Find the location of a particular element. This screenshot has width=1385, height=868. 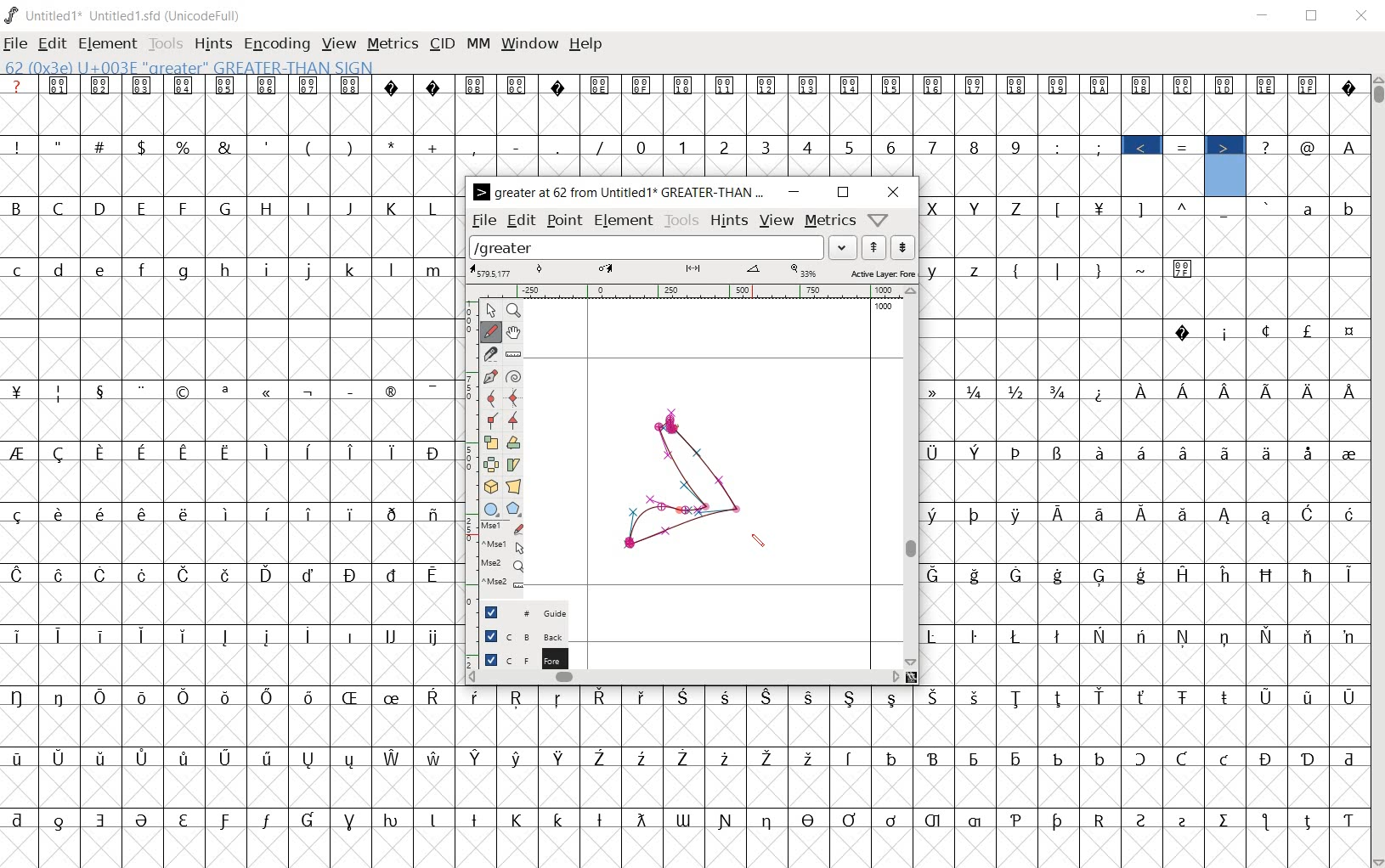

tools is located at coordinates (167, 45).